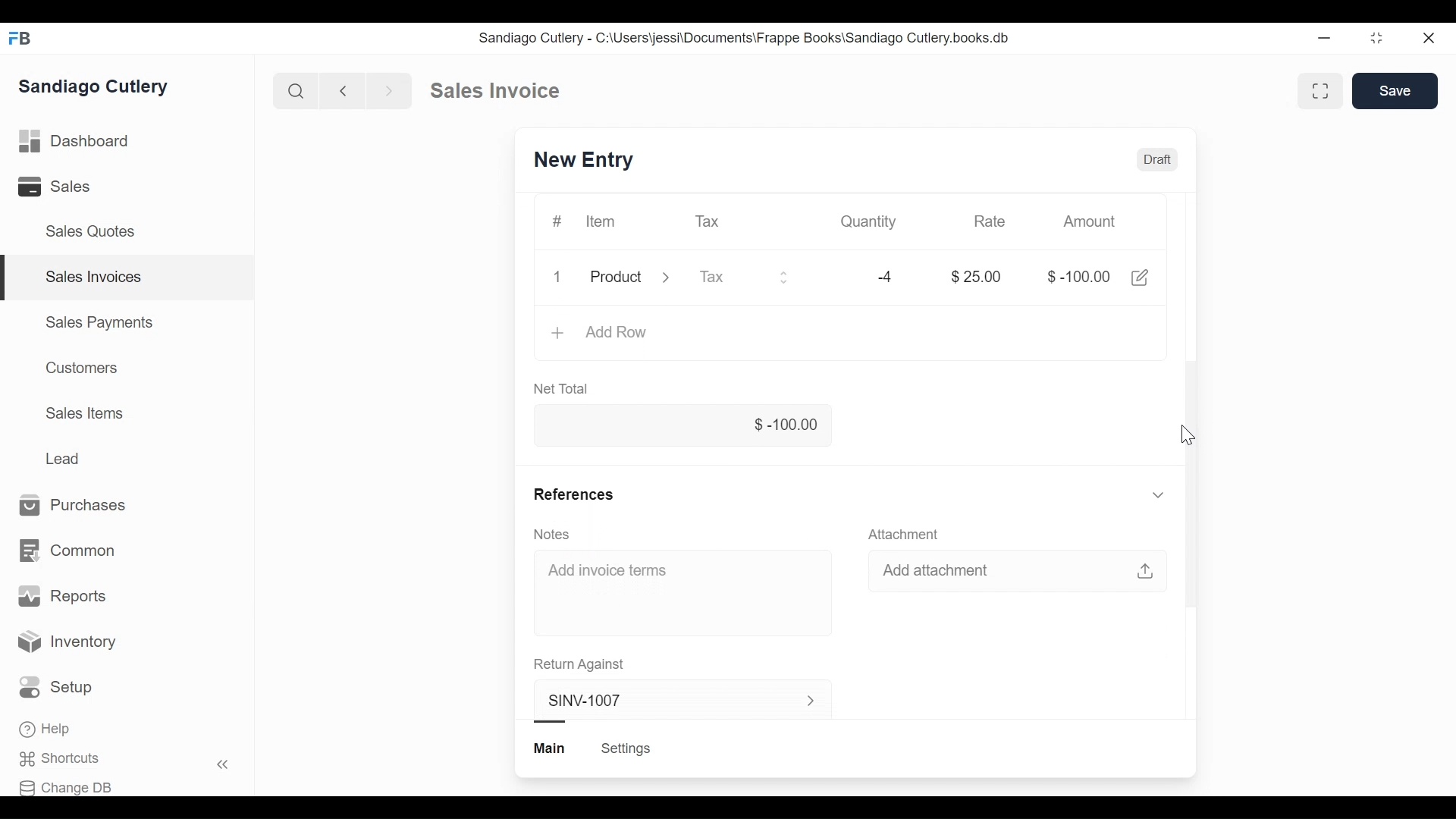 The width and height of the screenshot is (1456, 819). Describe the element at coordinates (564, 388) in the screenshot. I see `Net Total` at that location.